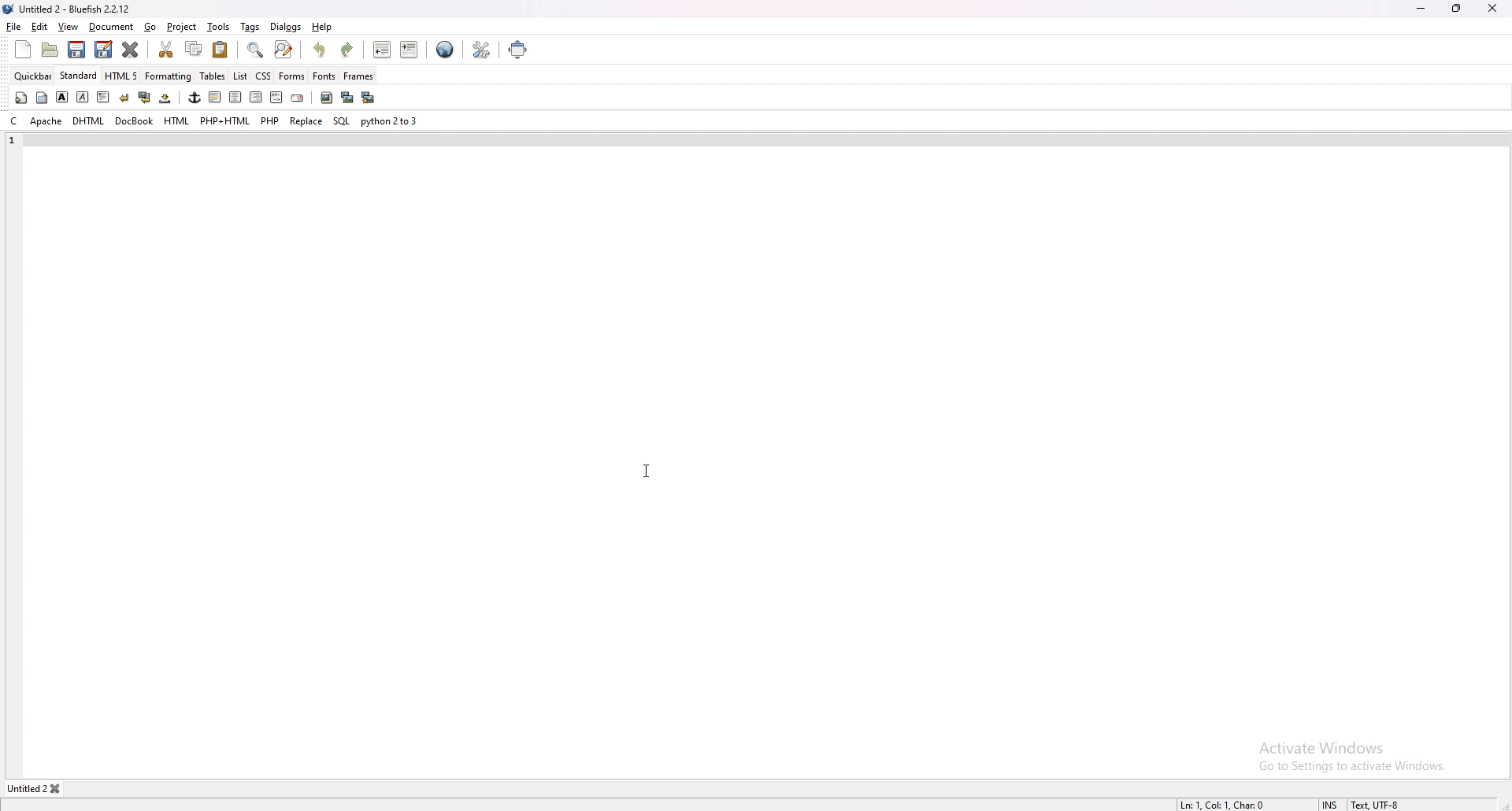 The width and height of the screenshot is (1512, 811). What do you see at coordinates (21, 98) in the screenshot?
I see `quickstart` at bounding box center [21, 98].